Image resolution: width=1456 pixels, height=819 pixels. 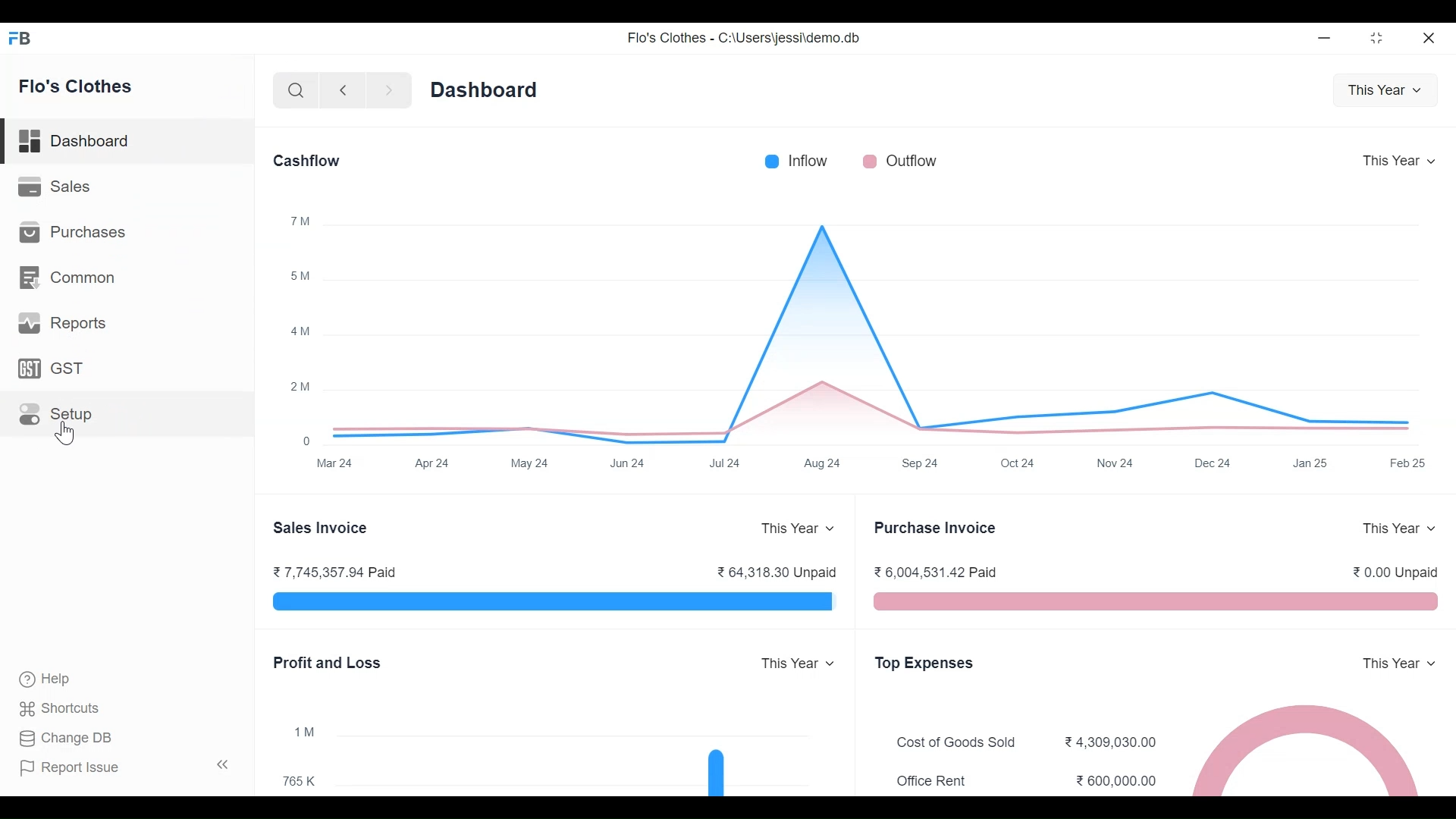 I want to click on Profit and Loss, so click(x=328, y=664).